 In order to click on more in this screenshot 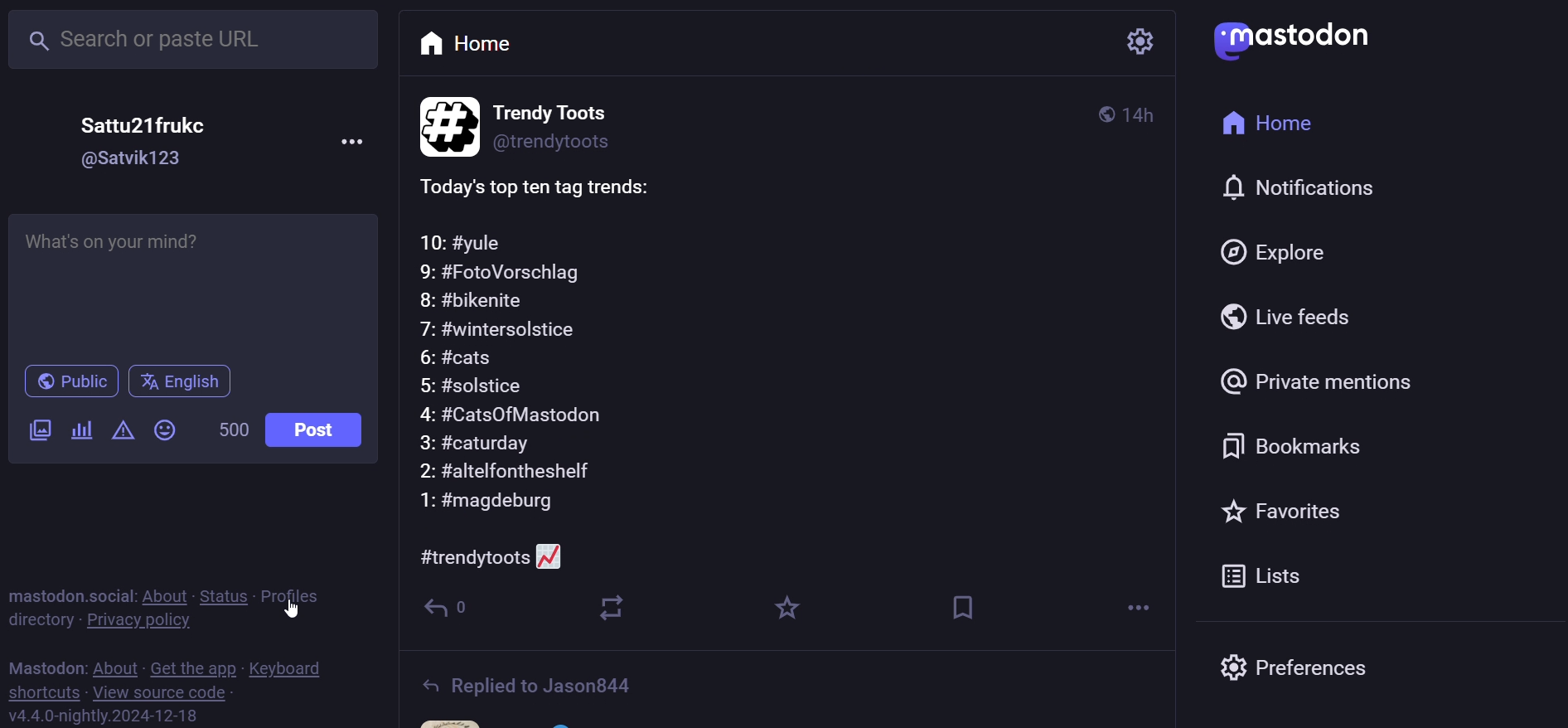, I will do `click(356, 142)`.